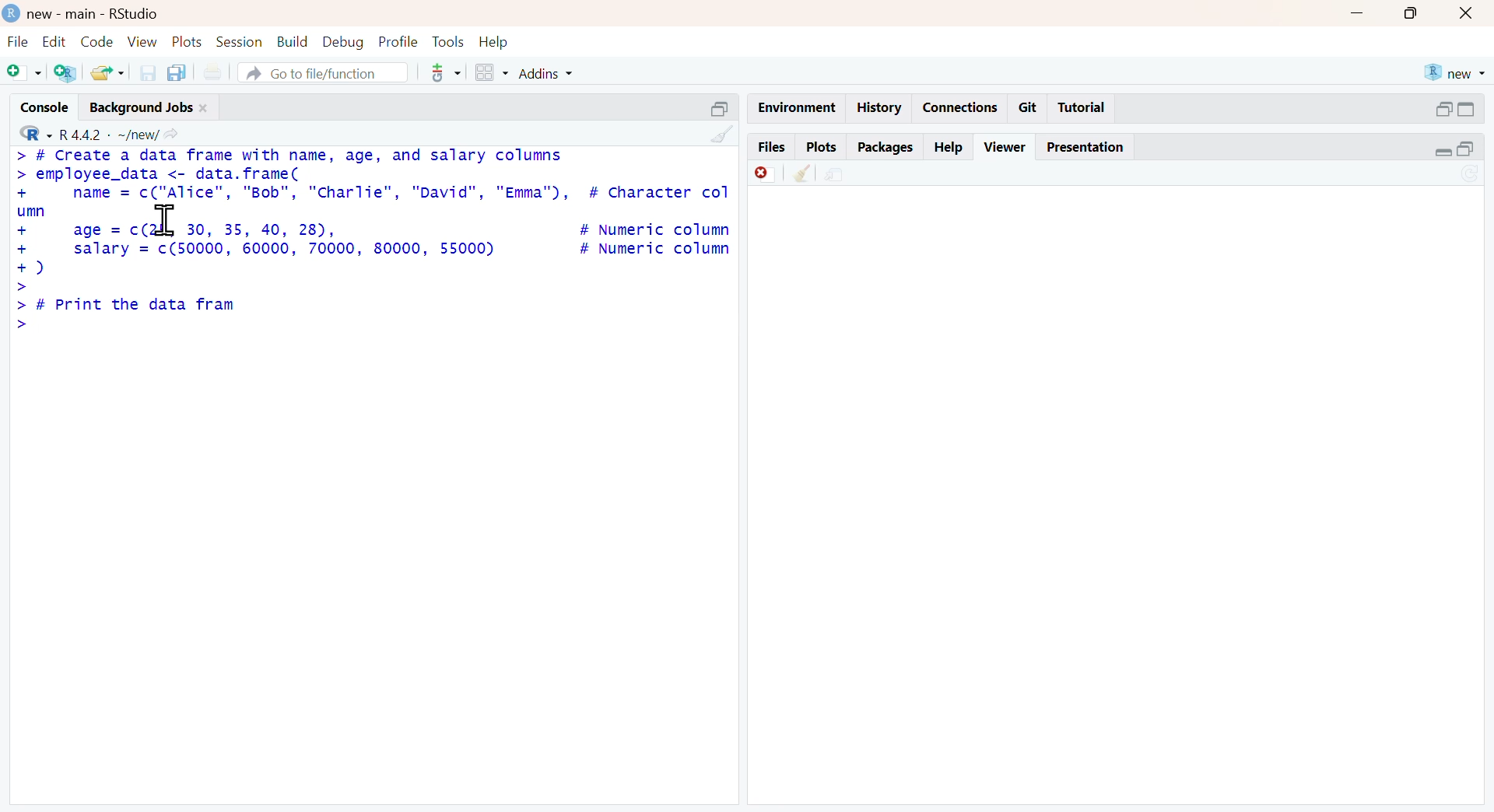 This screenshot has width=1494, height=812. I want to click on D new - main - RStudio, so click(93, 13).